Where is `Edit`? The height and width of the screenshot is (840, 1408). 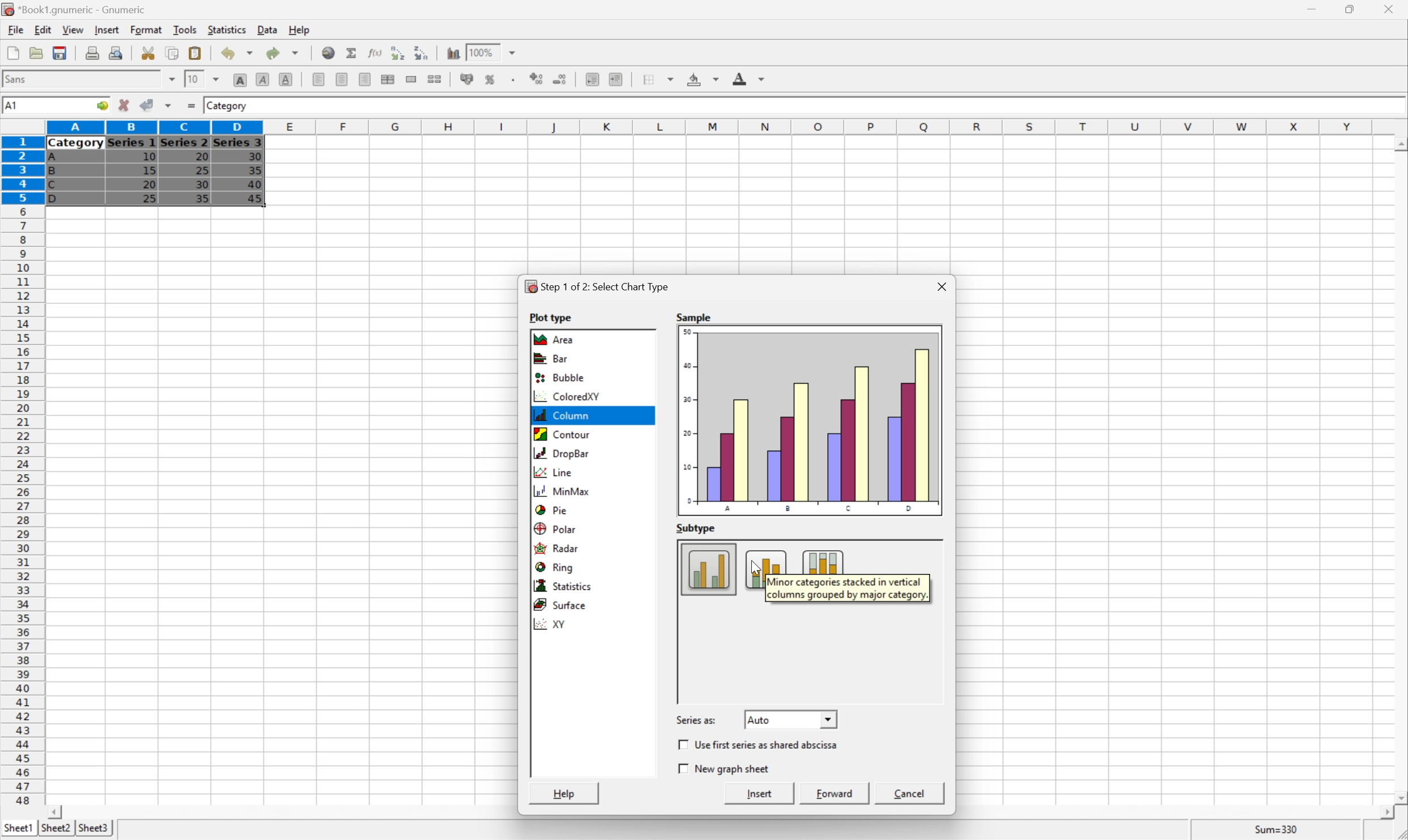
Edit is located at coordinates (43, 29).